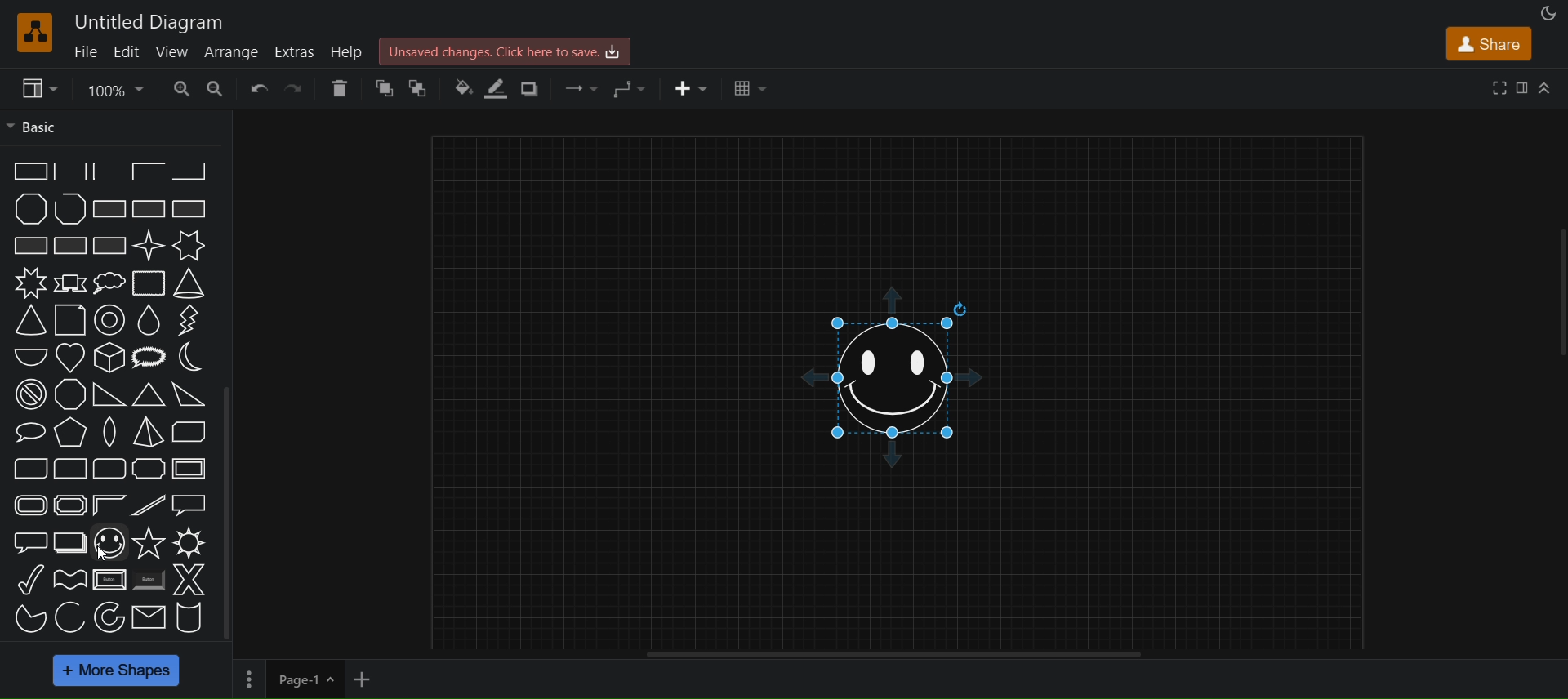  Describe the element at coordinates (29, 539) in the screenshot. I see `rounded rectangular callout` at that location.